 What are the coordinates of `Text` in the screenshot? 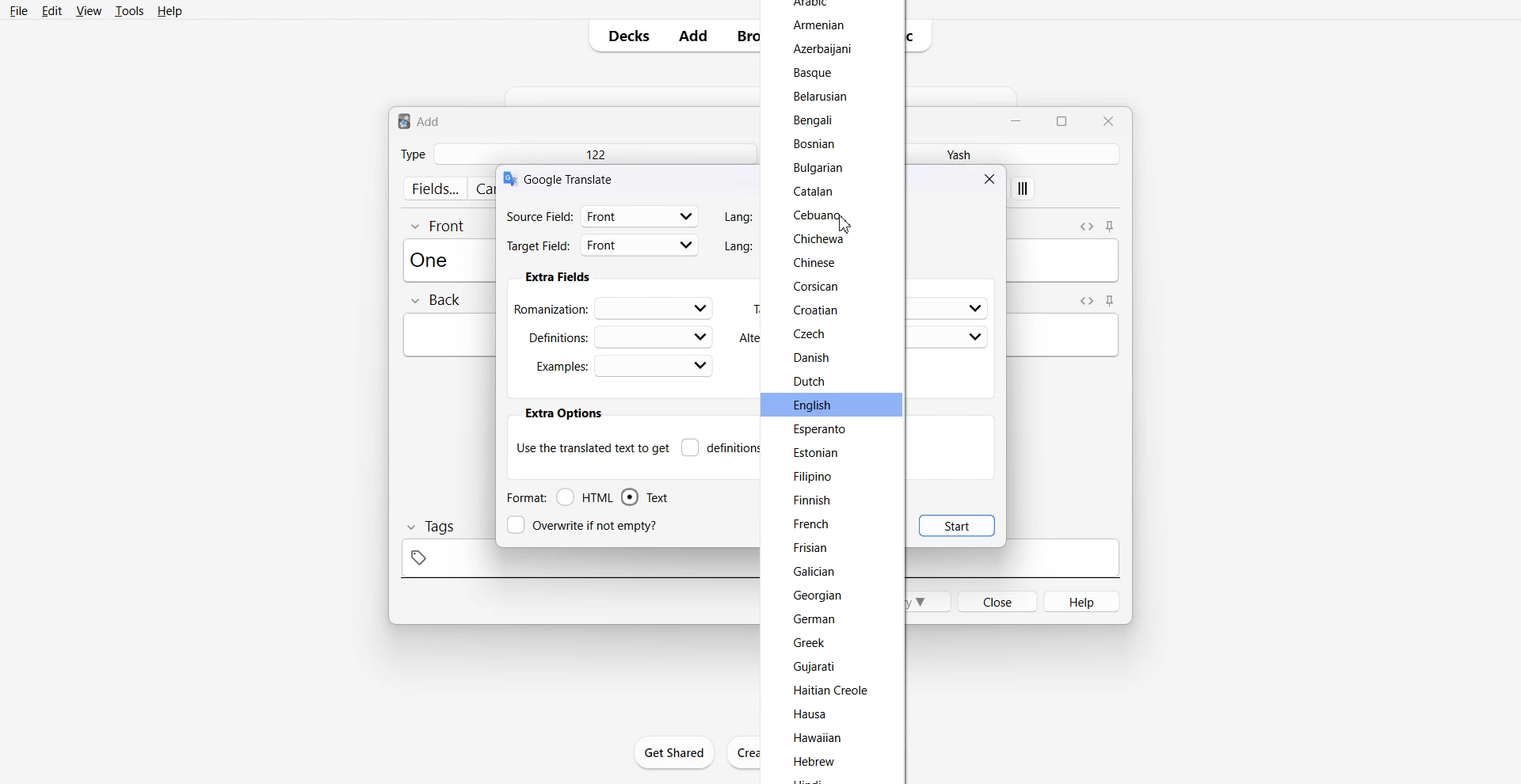 It's located at (420, 120).